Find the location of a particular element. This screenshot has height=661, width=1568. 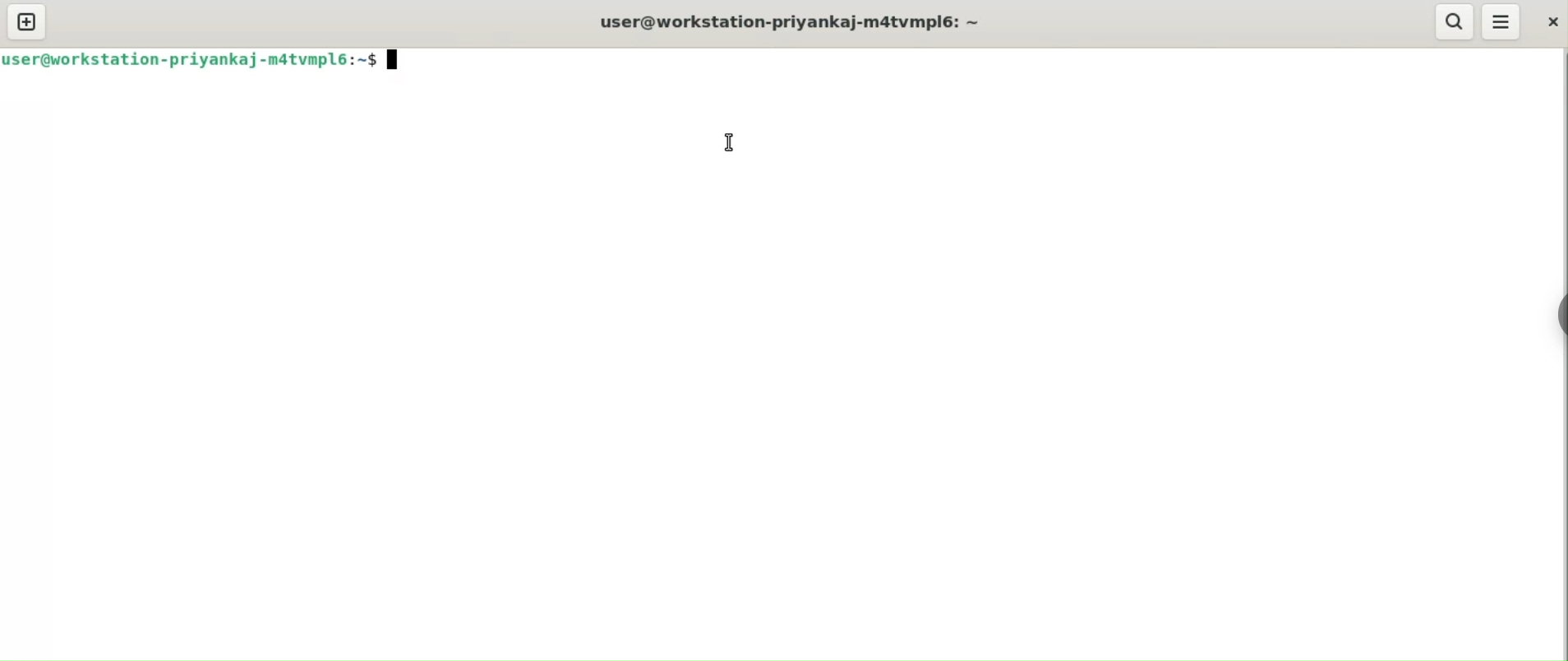

mouse pointer is located at coordinates (728, 141).